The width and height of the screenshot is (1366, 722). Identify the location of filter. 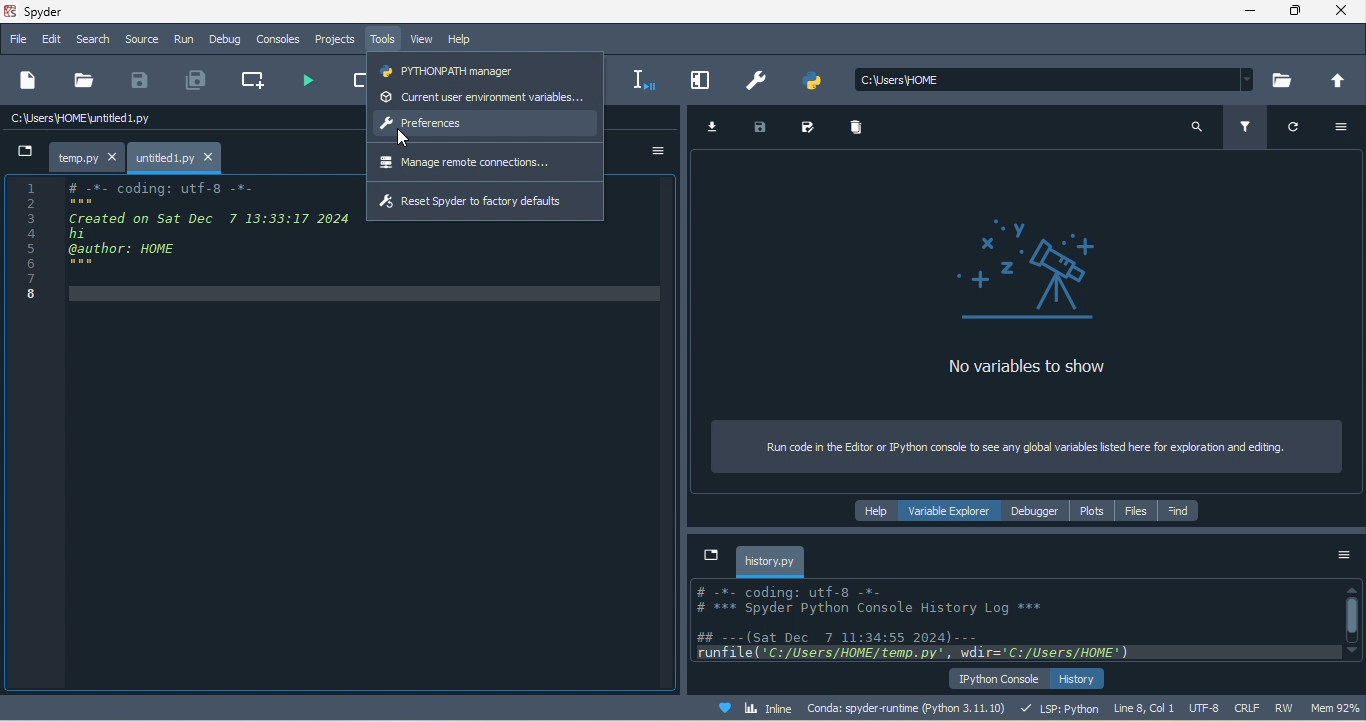
(1248, 128).